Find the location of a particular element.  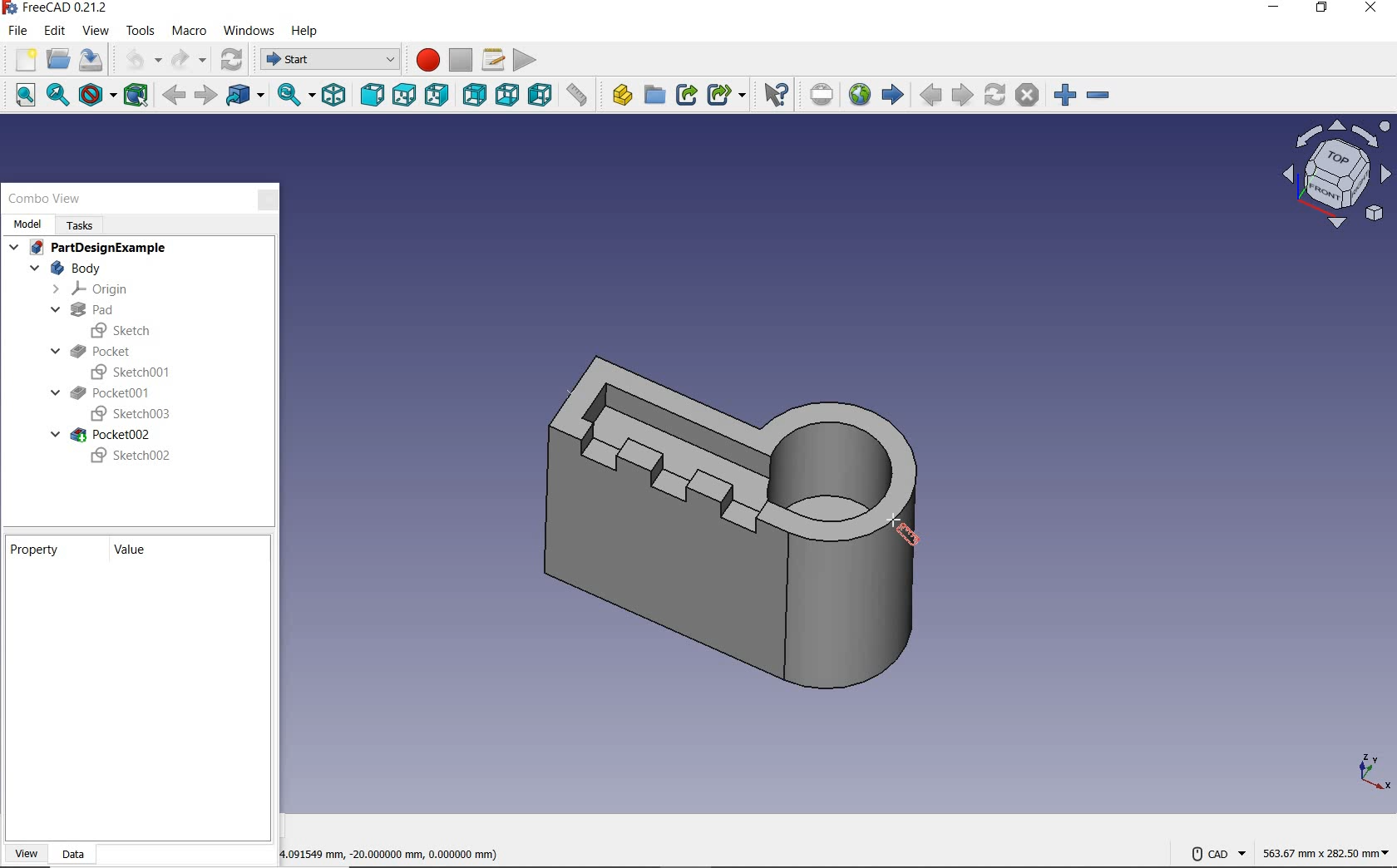

start page is located at coordinates (892, 94).